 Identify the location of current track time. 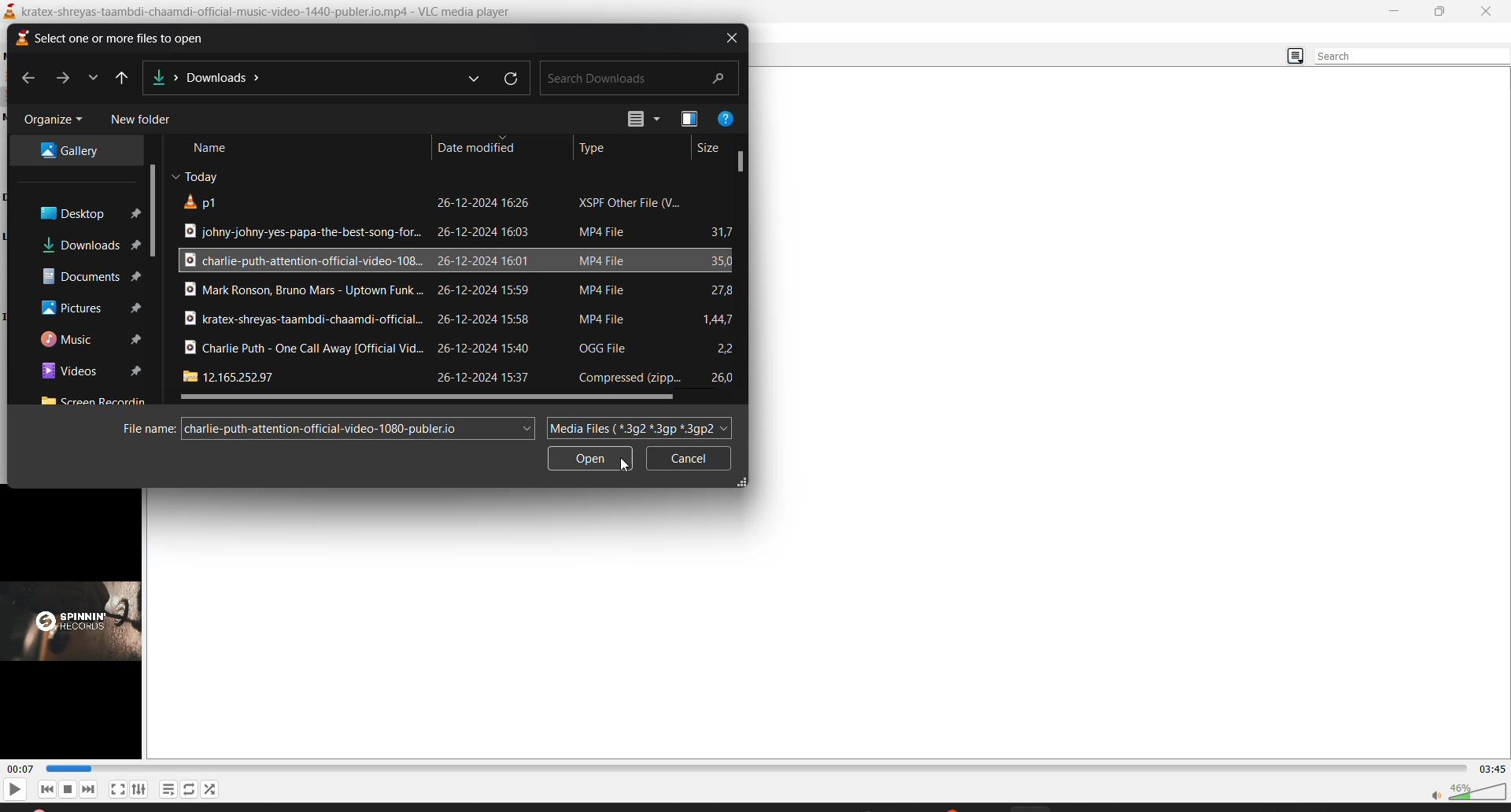
(24, 770).